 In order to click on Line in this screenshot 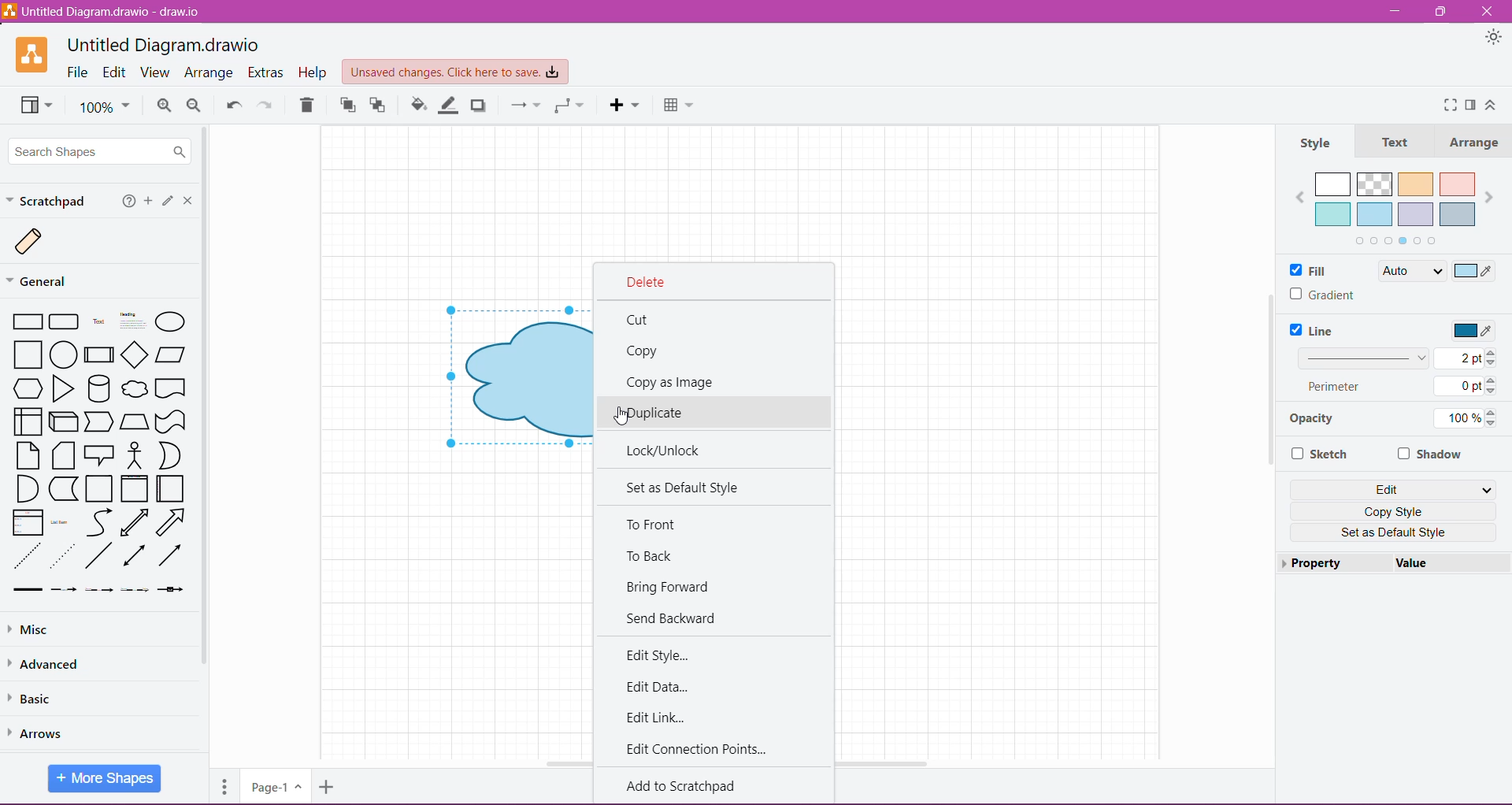, I will do `click(1314, 331)`.